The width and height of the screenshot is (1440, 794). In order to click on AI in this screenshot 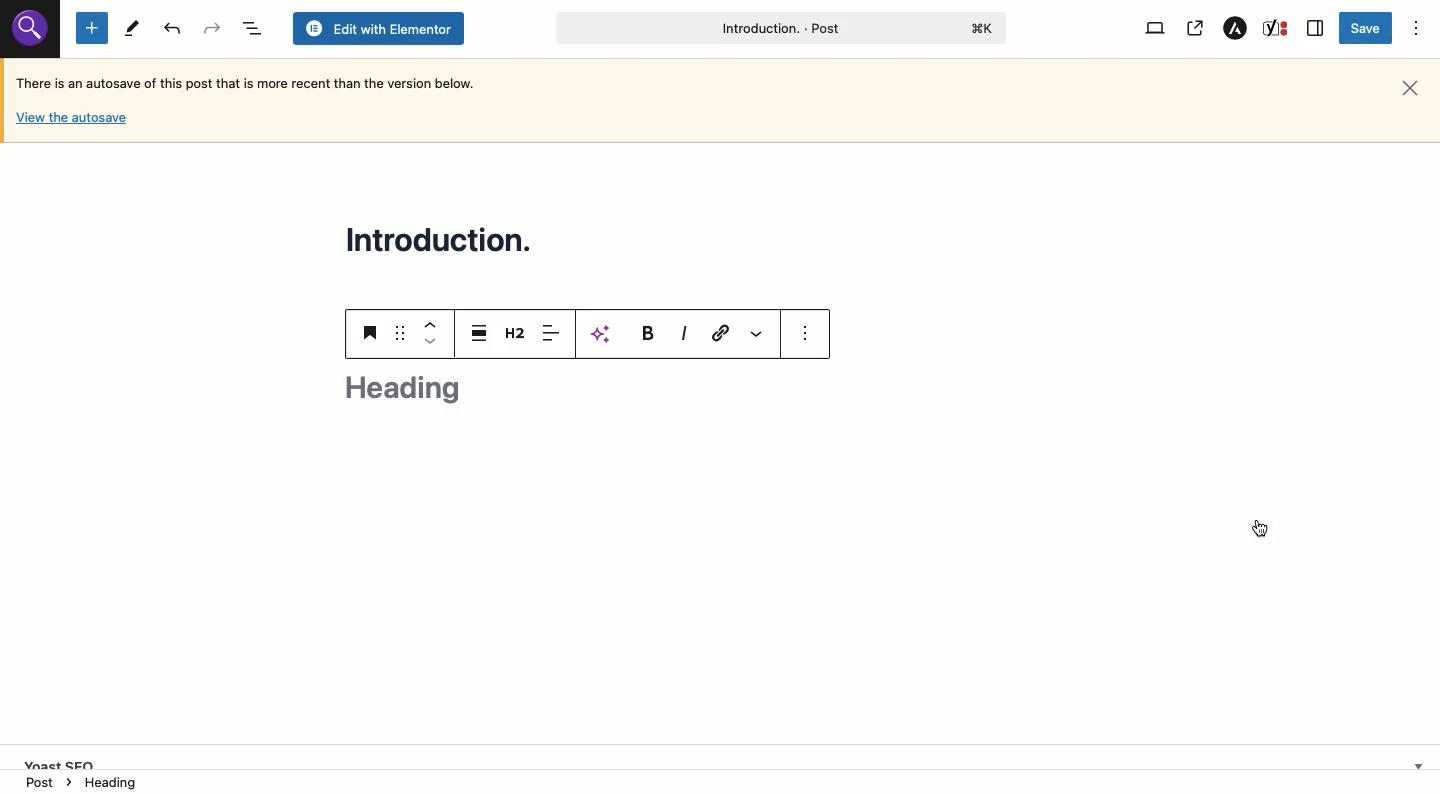, I will do `click(604, 334)`.